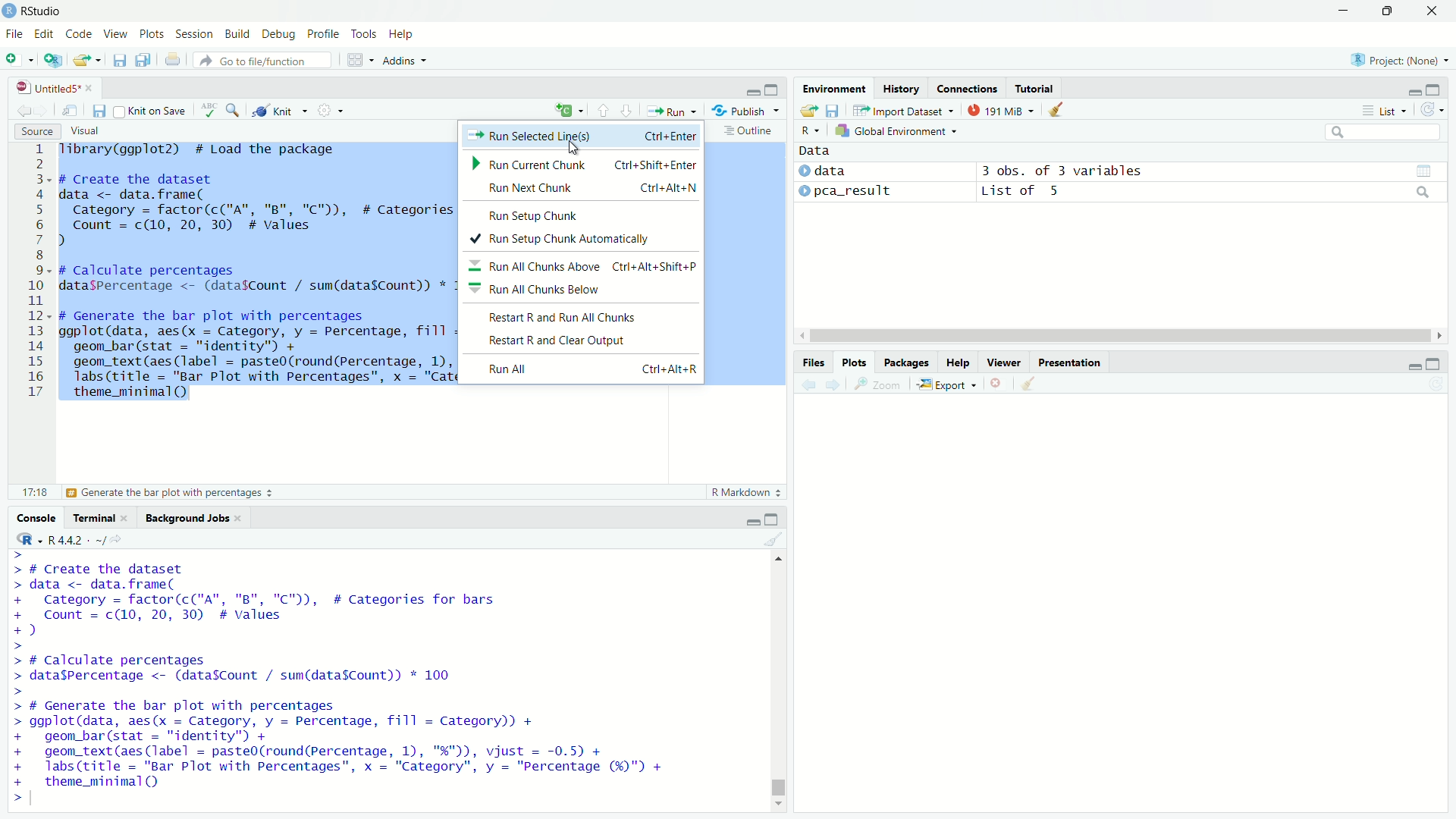  Describe the element at coordinates (278, 110) in the screenshot. I see `knit` at that location.